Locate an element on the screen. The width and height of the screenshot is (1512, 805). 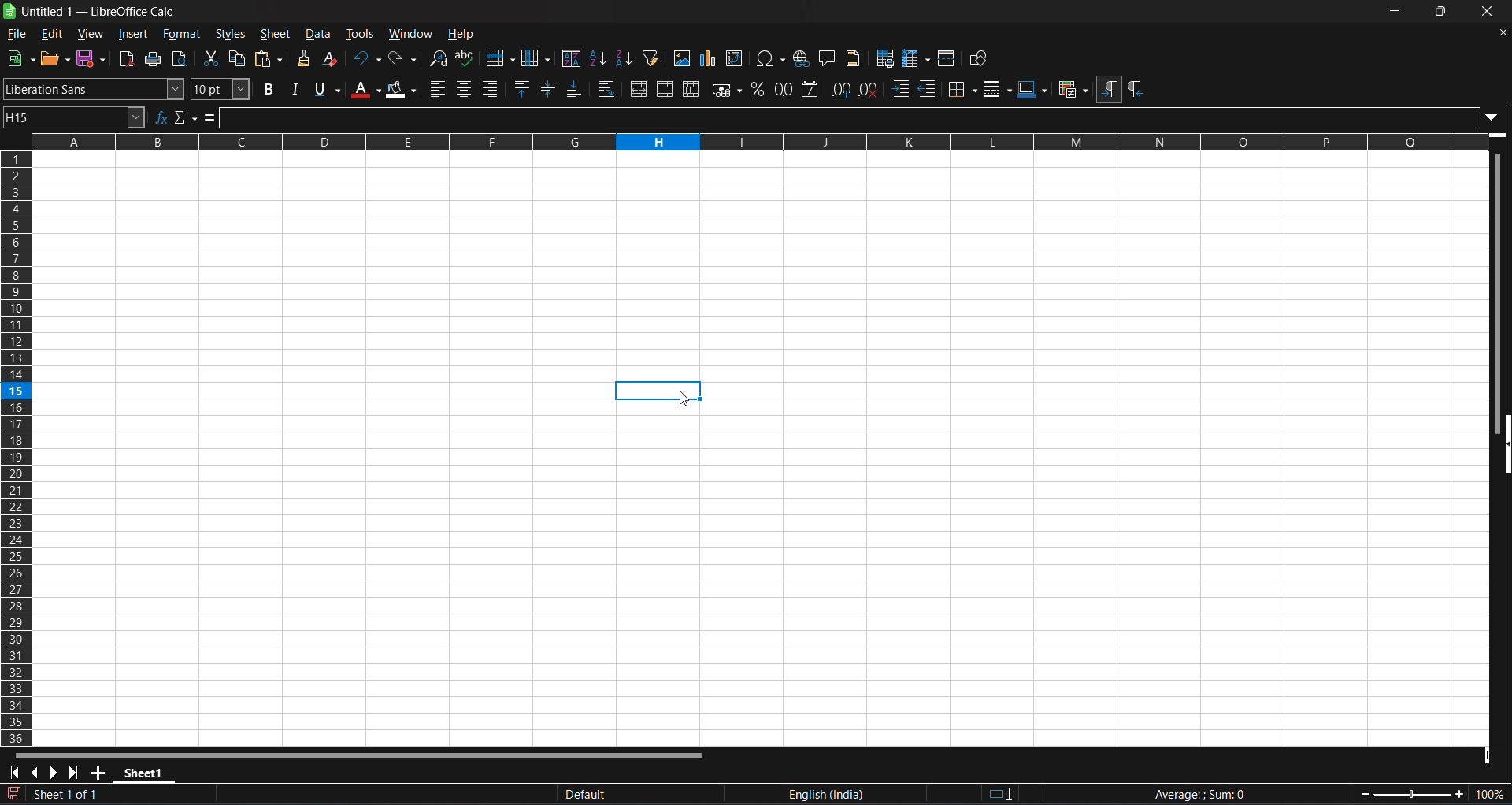
find and replace is located at coordinates (439, 59).